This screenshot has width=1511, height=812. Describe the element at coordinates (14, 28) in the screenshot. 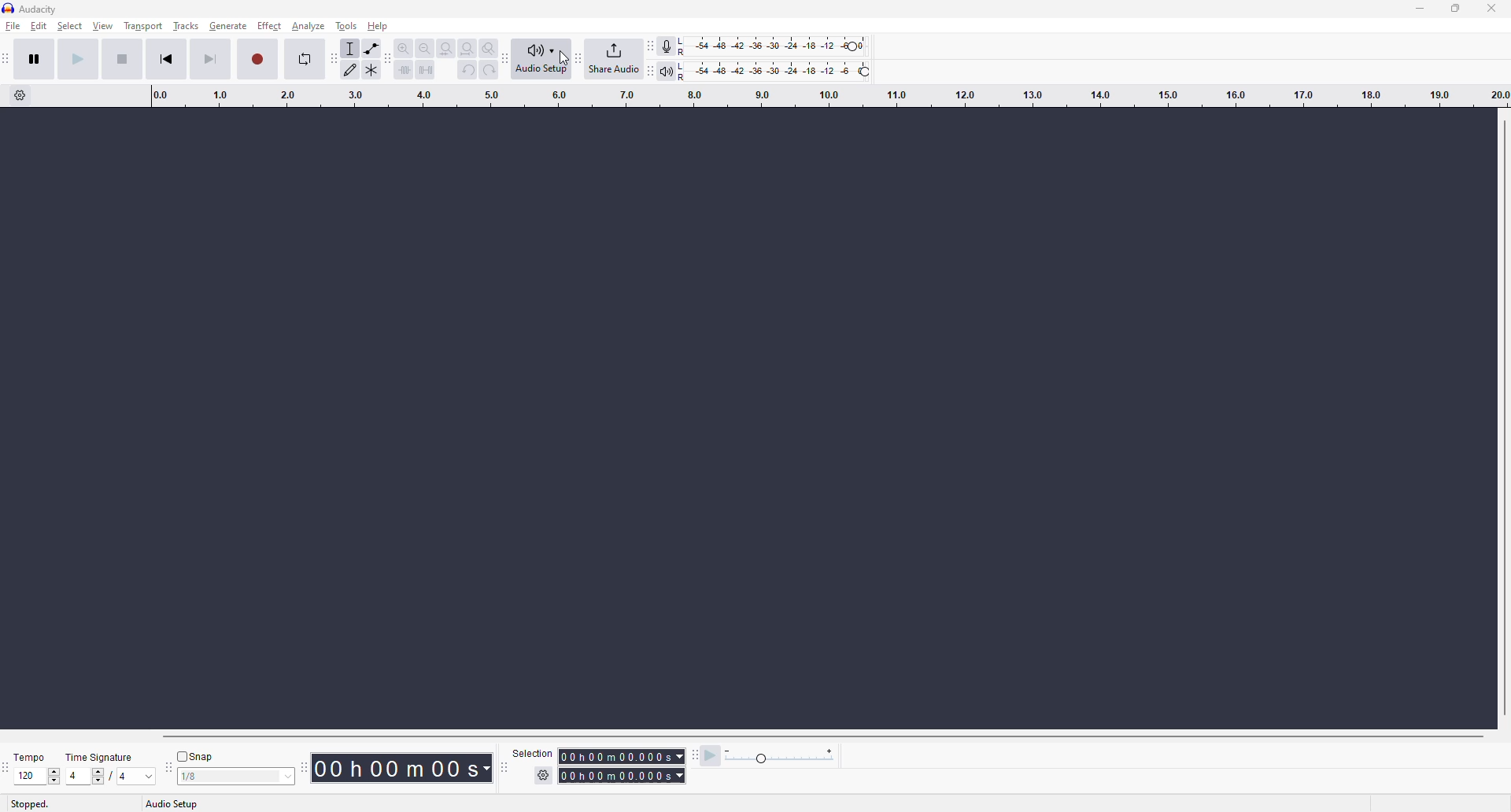

I see `file` at that location.